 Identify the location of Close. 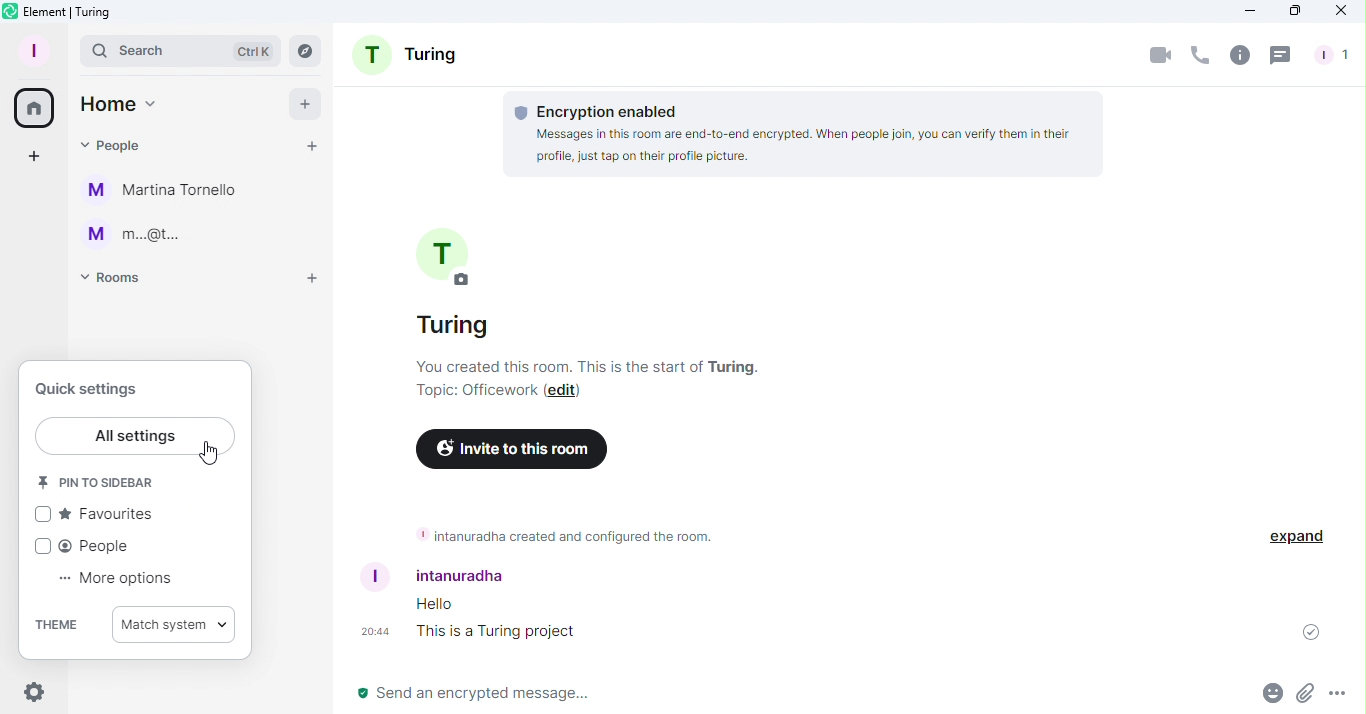
(1341, 12).